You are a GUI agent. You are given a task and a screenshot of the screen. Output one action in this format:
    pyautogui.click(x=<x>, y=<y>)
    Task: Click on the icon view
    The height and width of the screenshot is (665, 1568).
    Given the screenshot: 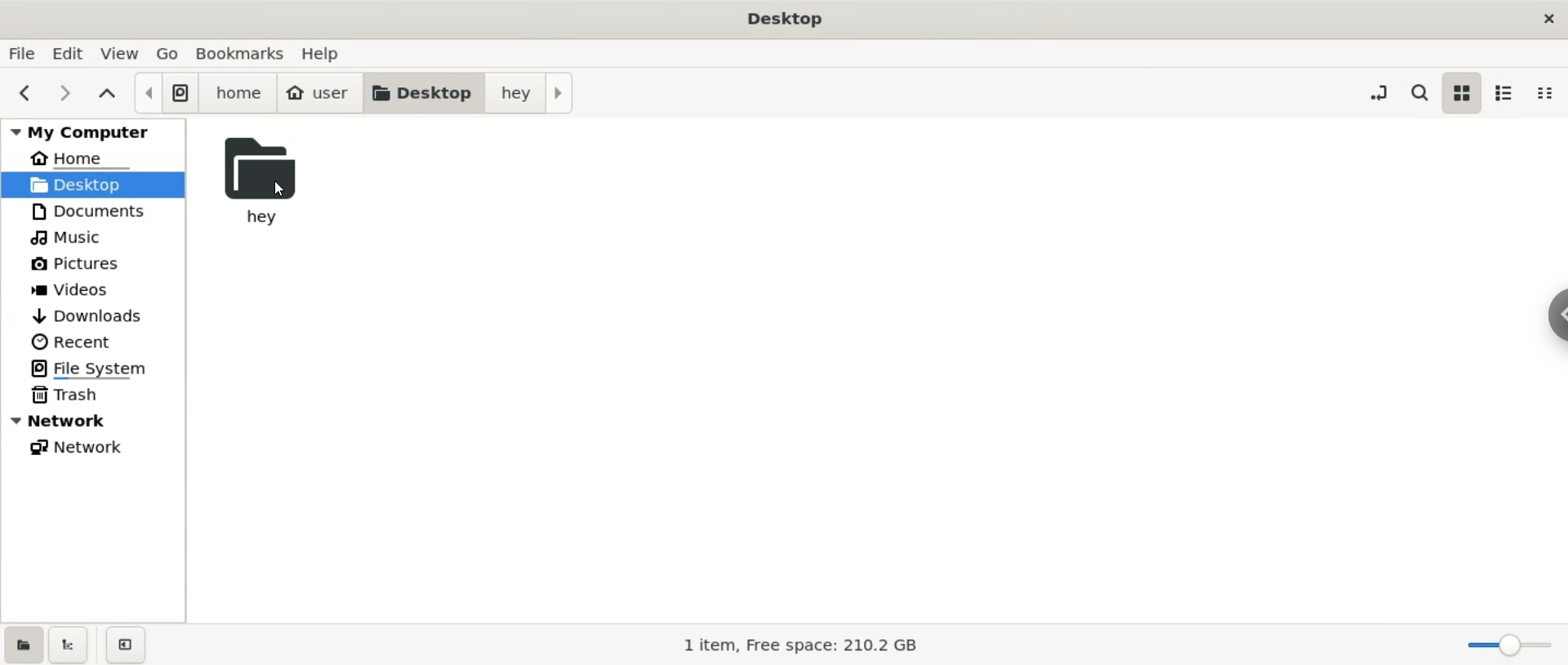 What is the action you would take?
    pyautogui.click(x=1463, y=94)
    